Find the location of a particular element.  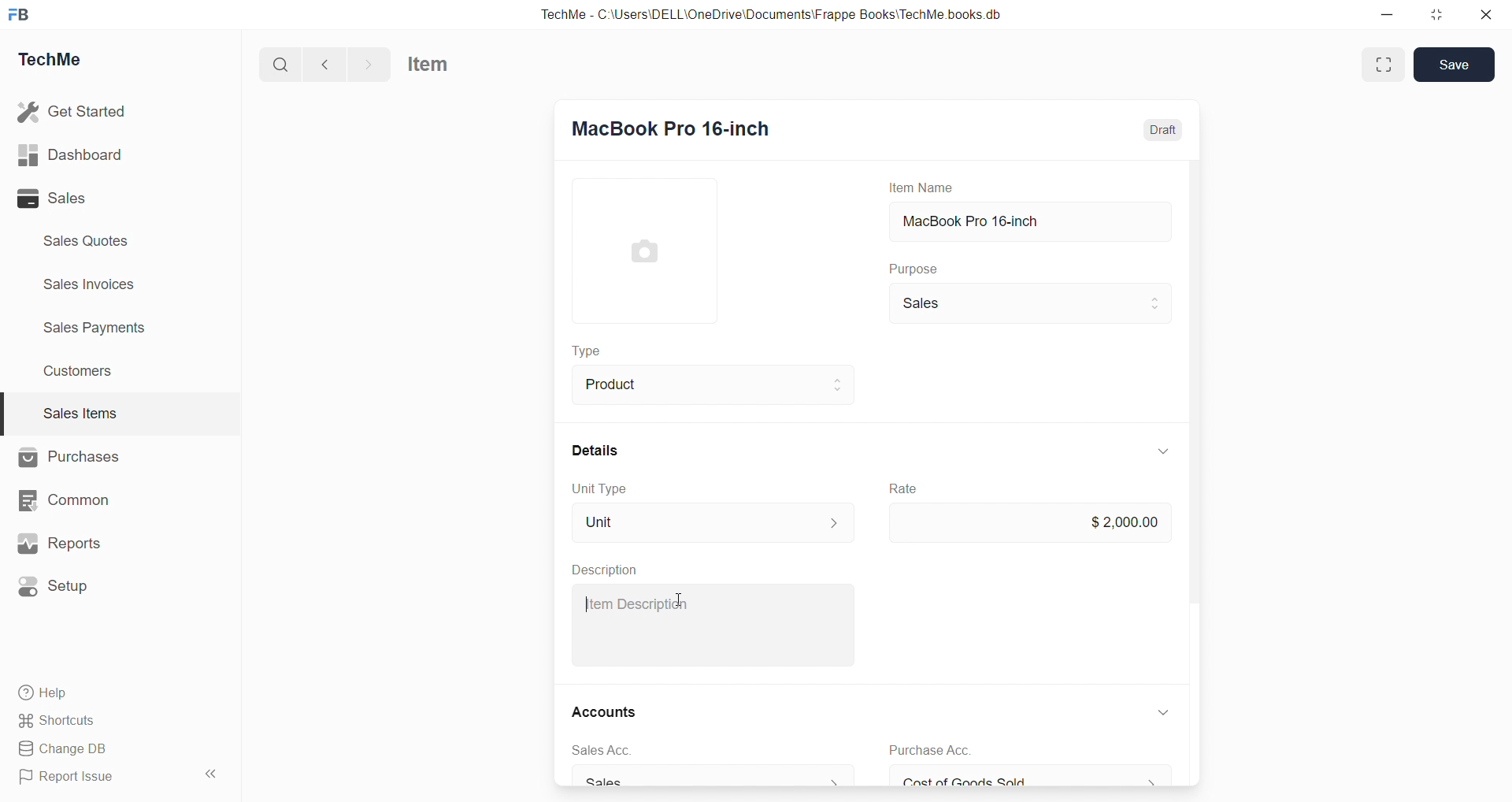

Dashboard is located at coordinates (71, 154).